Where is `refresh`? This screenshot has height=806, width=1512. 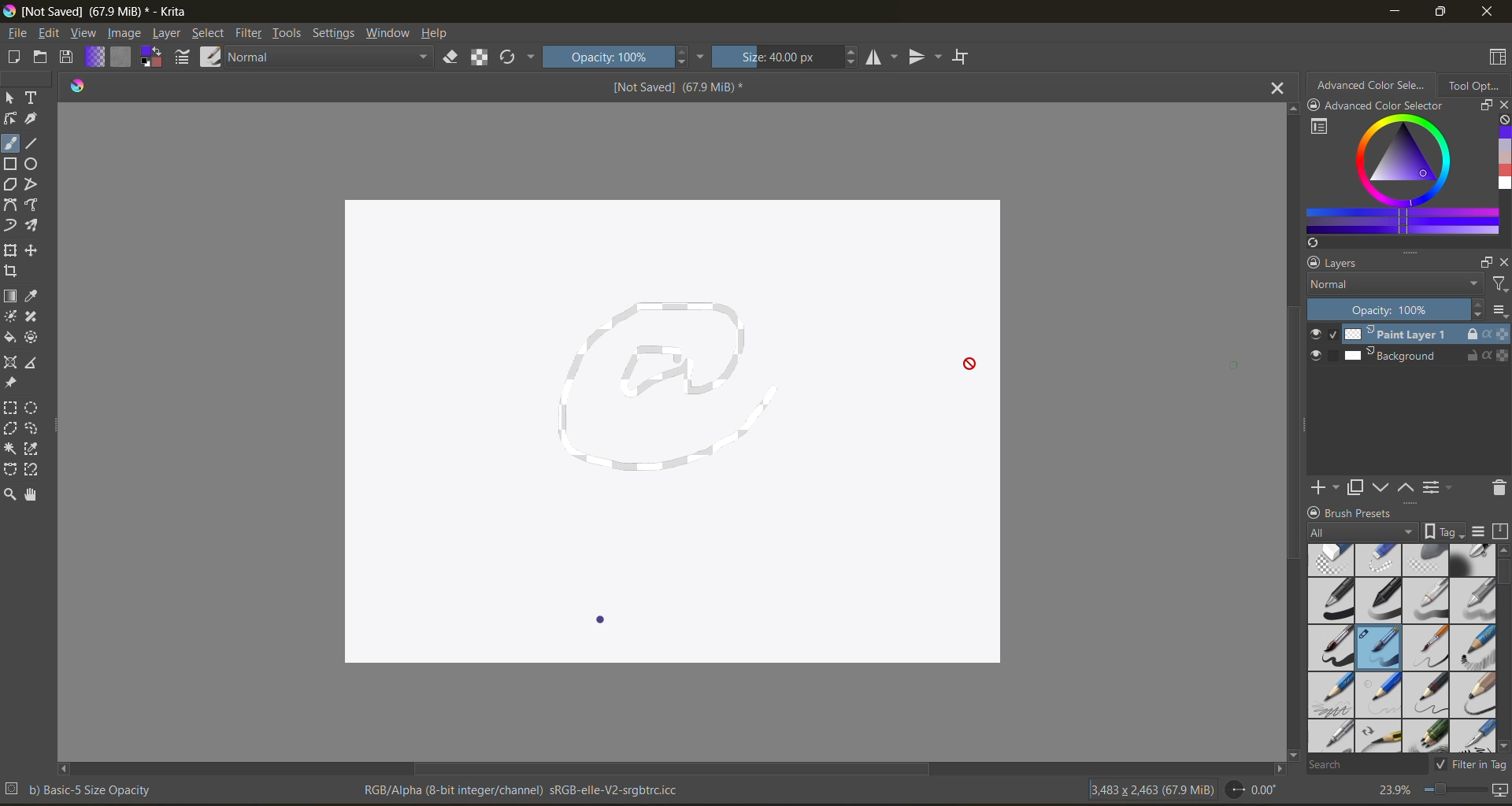 refresh is located at coordinates (1310, 242).